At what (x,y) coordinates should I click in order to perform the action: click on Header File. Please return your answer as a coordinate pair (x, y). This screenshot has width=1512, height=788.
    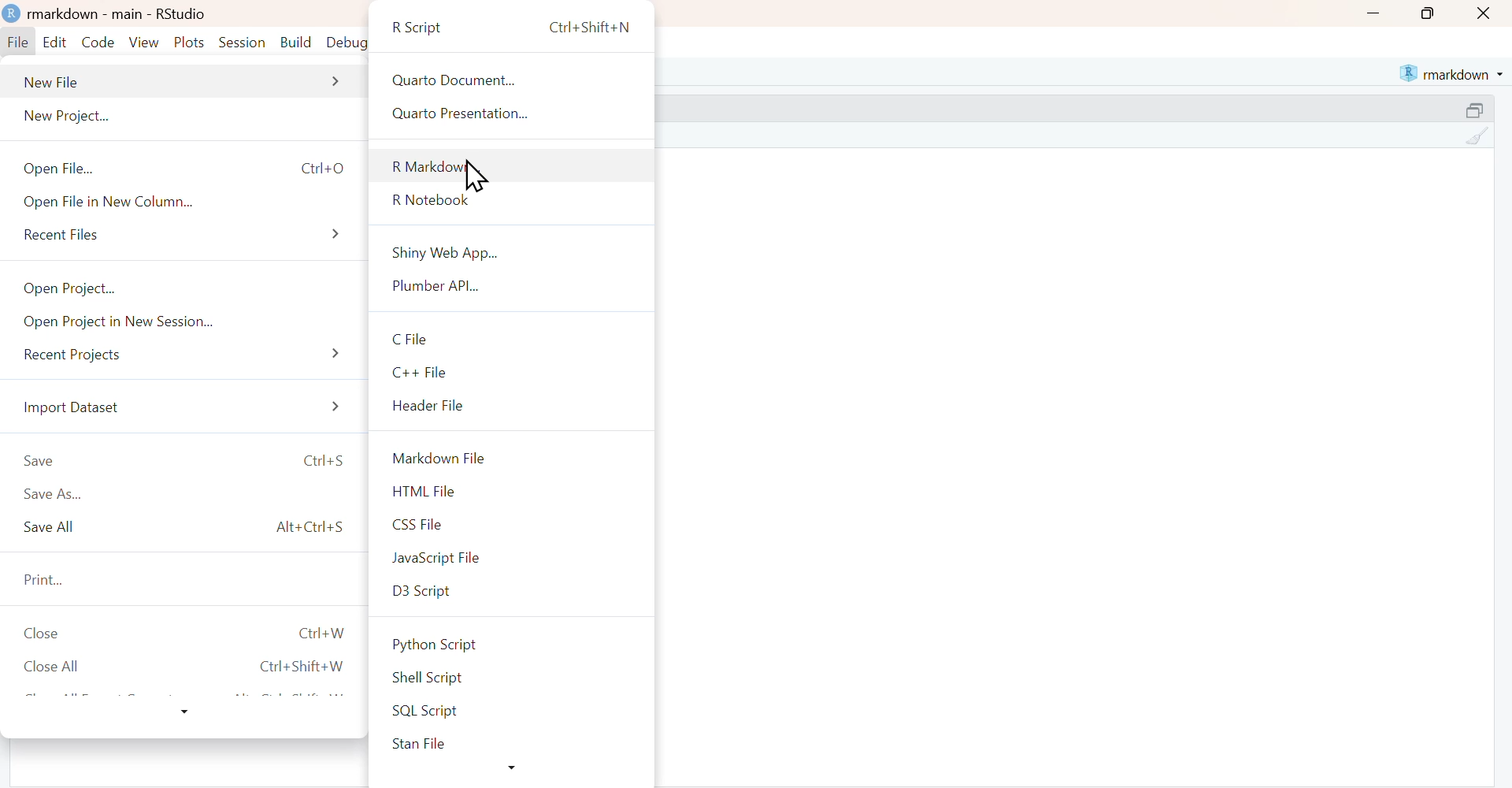
    Looking at the image, I should click on (509, 405).